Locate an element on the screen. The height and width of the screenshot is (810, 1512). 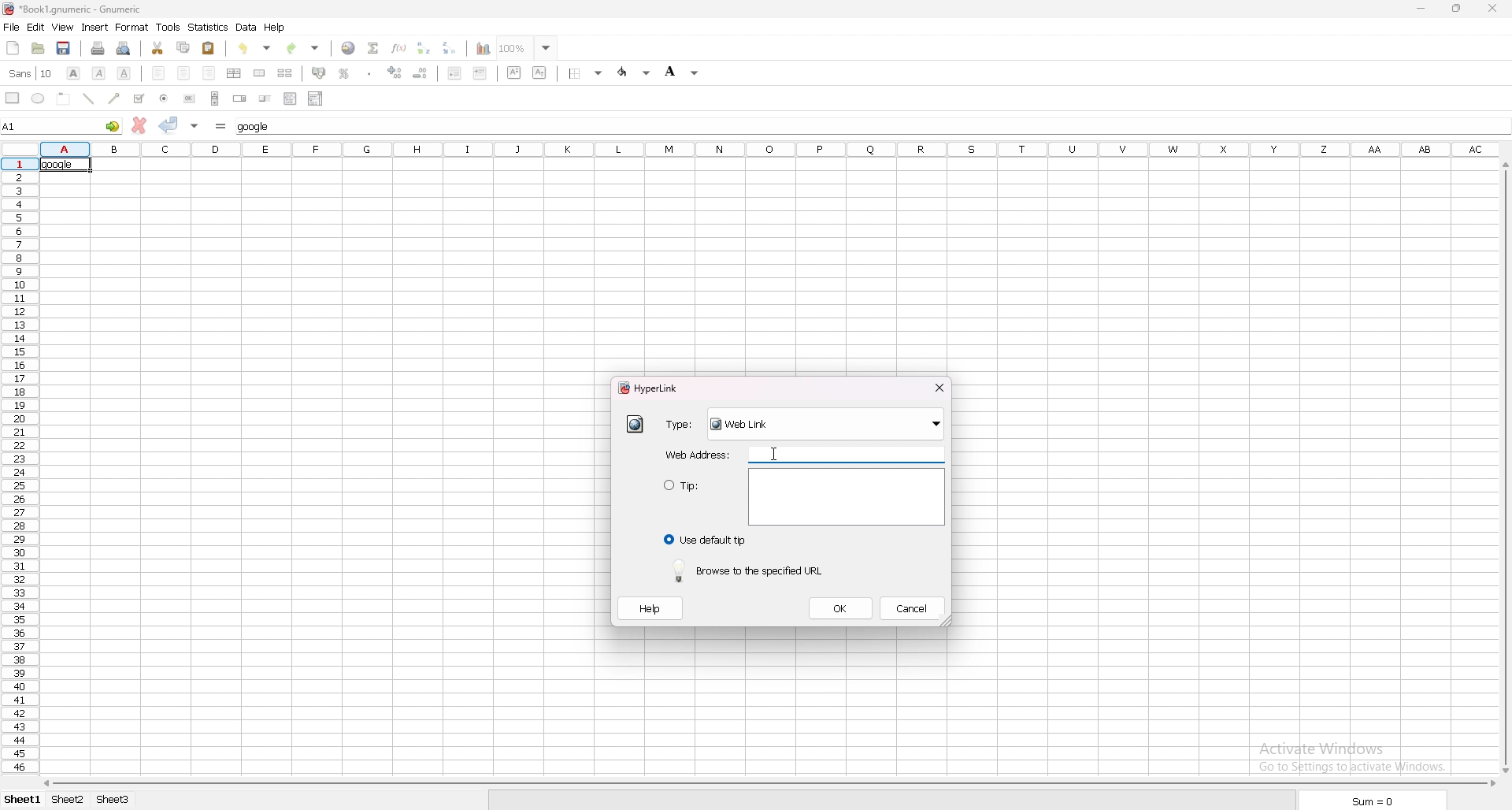
superscript is located at coordinates (515, 72).